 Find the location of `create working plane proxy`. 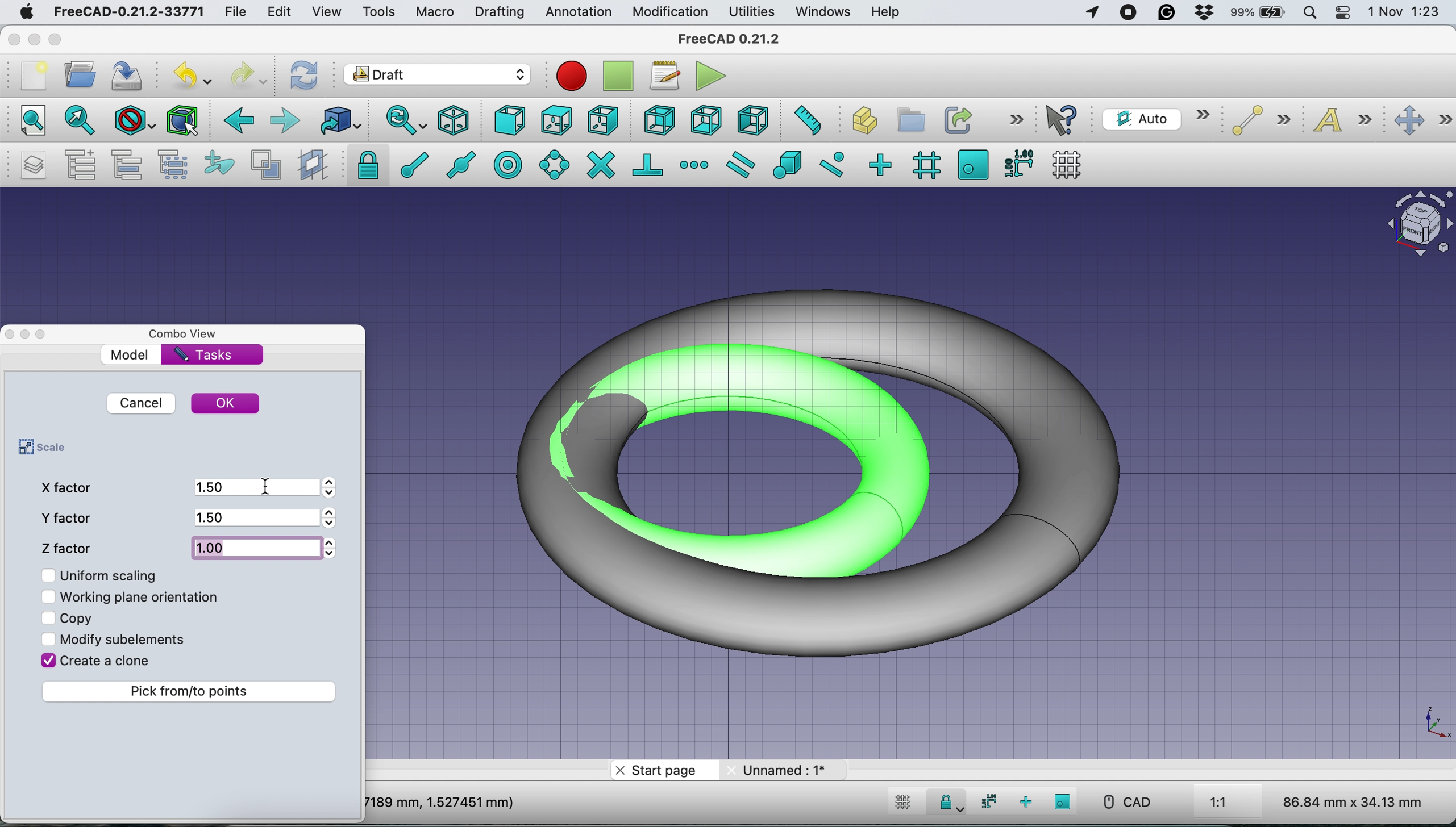

create working plane proxy is located at coordinates (311, 164).